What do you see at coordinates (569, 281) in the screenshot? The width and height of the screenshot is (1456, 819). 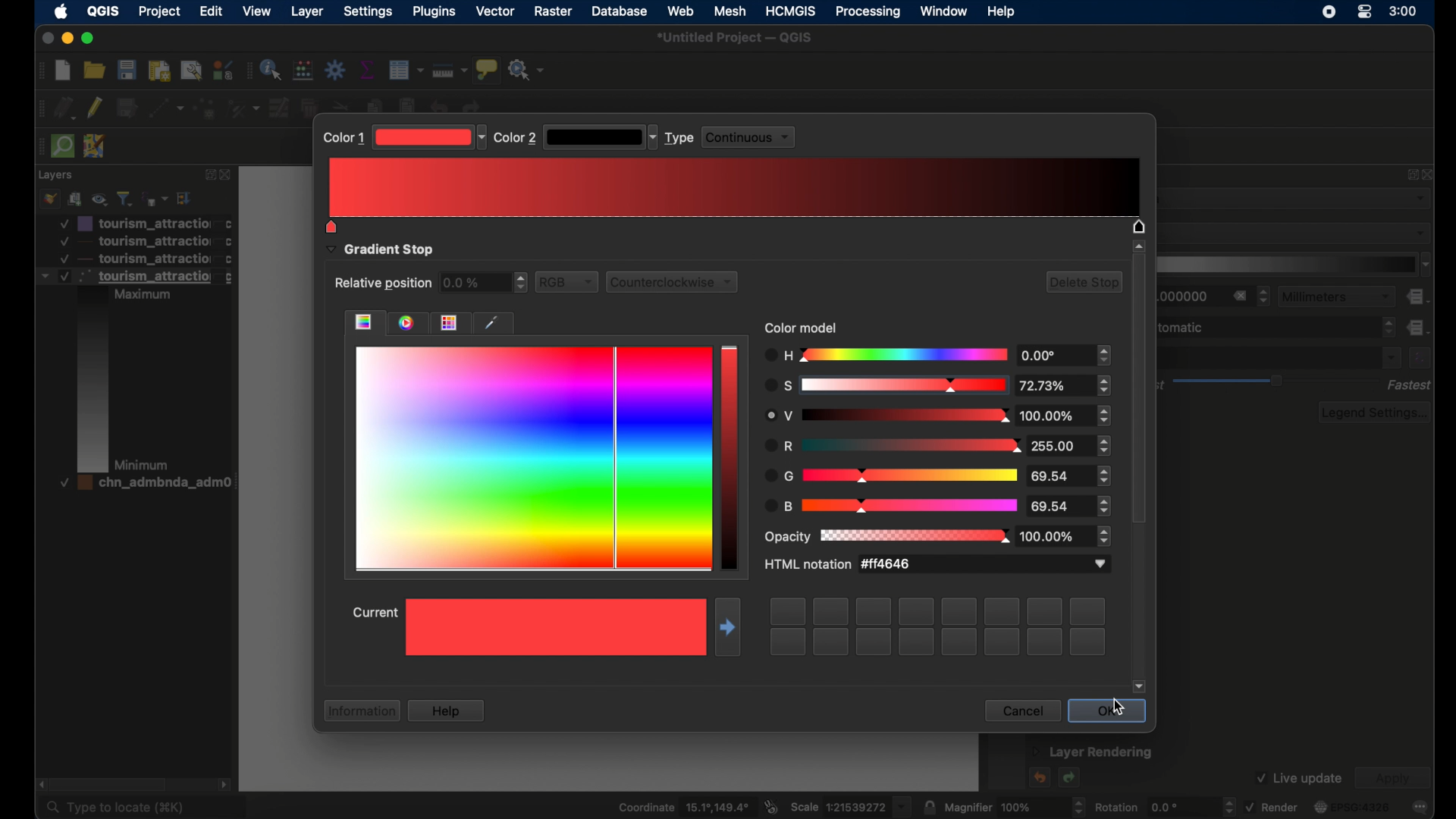 I see `RGB dropdown` at bounding box center [569, 281].